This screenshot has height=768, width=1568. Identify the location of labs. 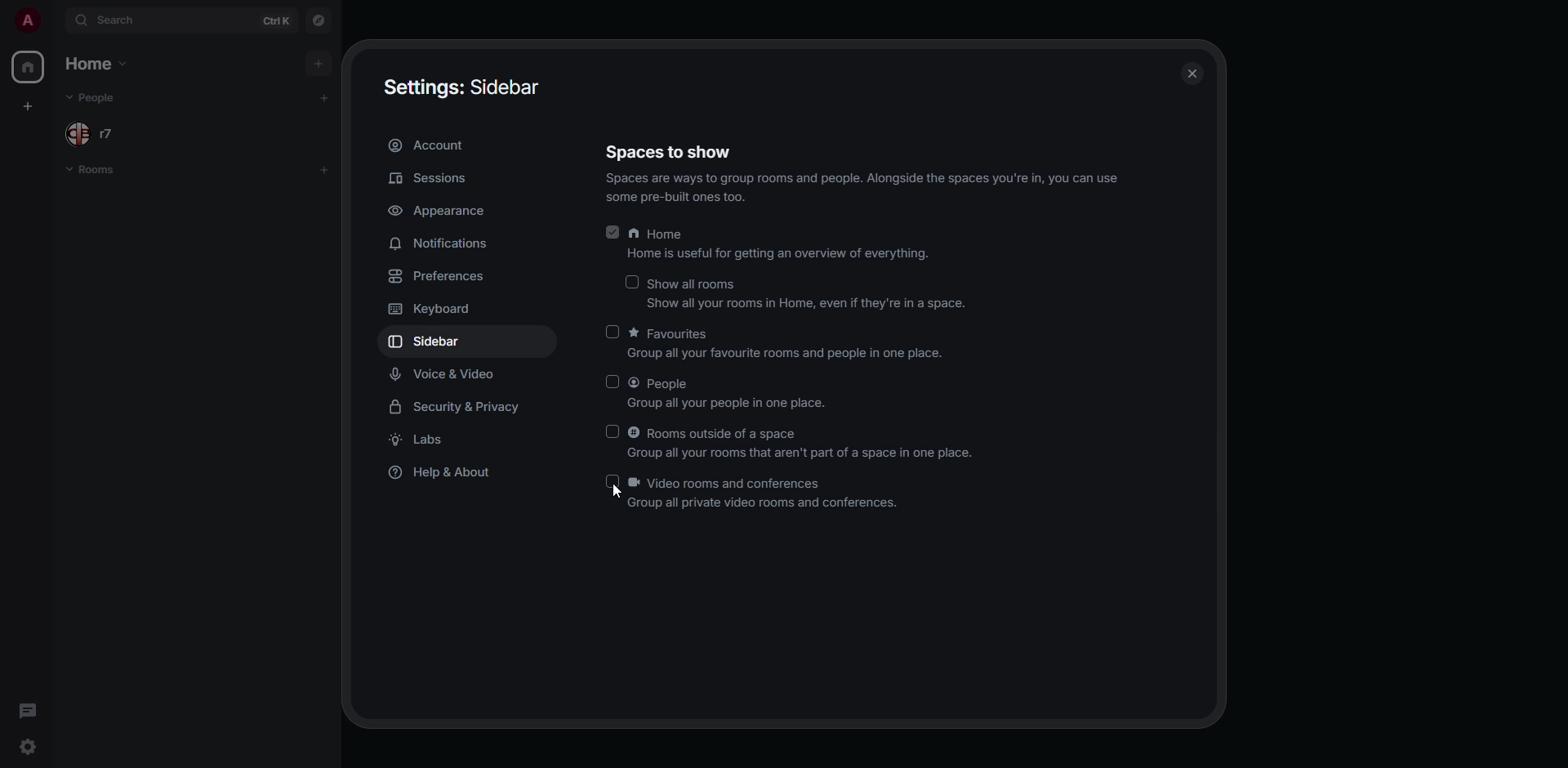
(428, 441).